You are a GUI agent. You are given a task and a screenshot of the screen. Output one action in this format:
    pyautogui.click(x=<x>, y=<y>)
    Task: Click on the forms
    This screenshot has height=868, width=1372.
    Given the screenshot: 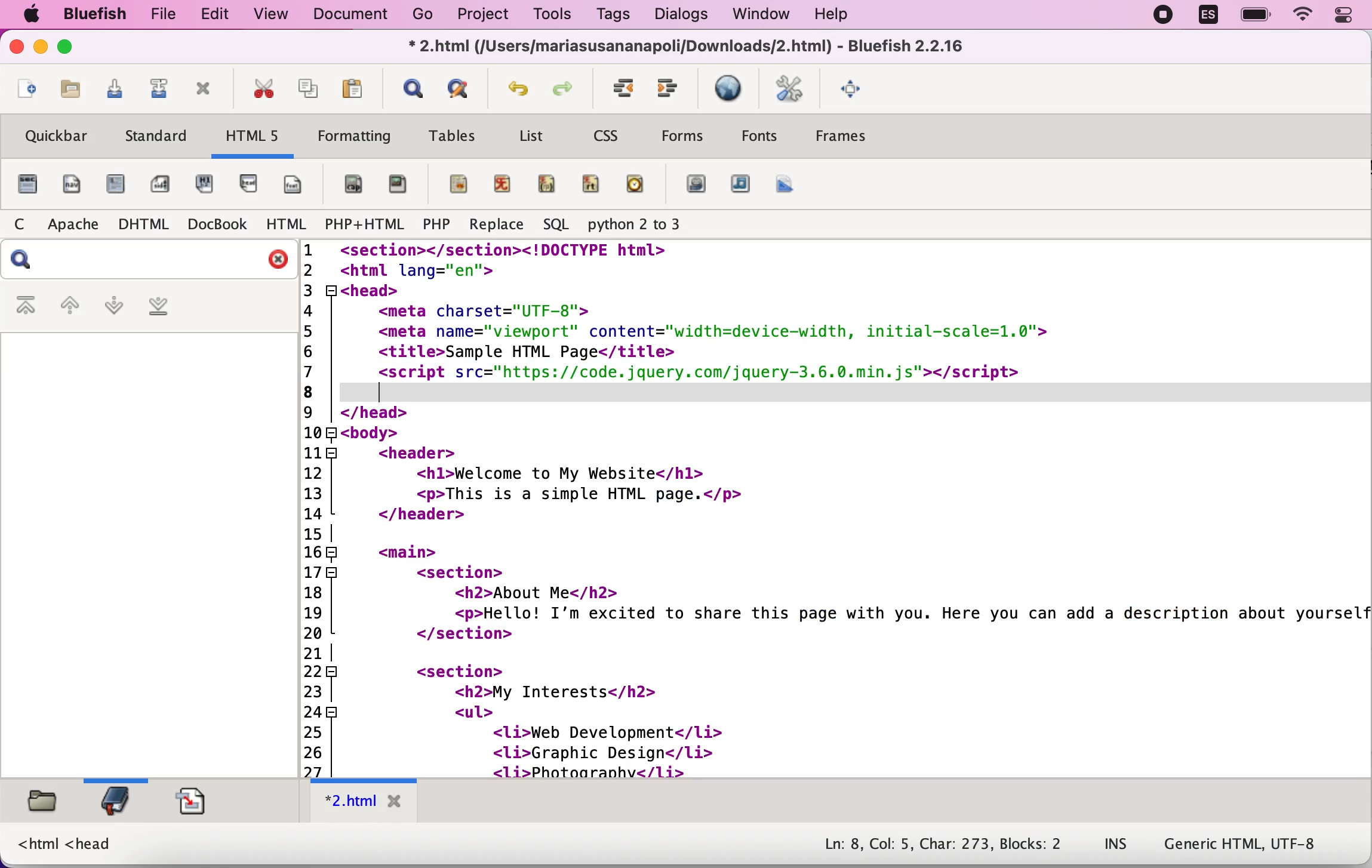 What is the action you would take?
    pyautogui.click(x=687, y=136)
    